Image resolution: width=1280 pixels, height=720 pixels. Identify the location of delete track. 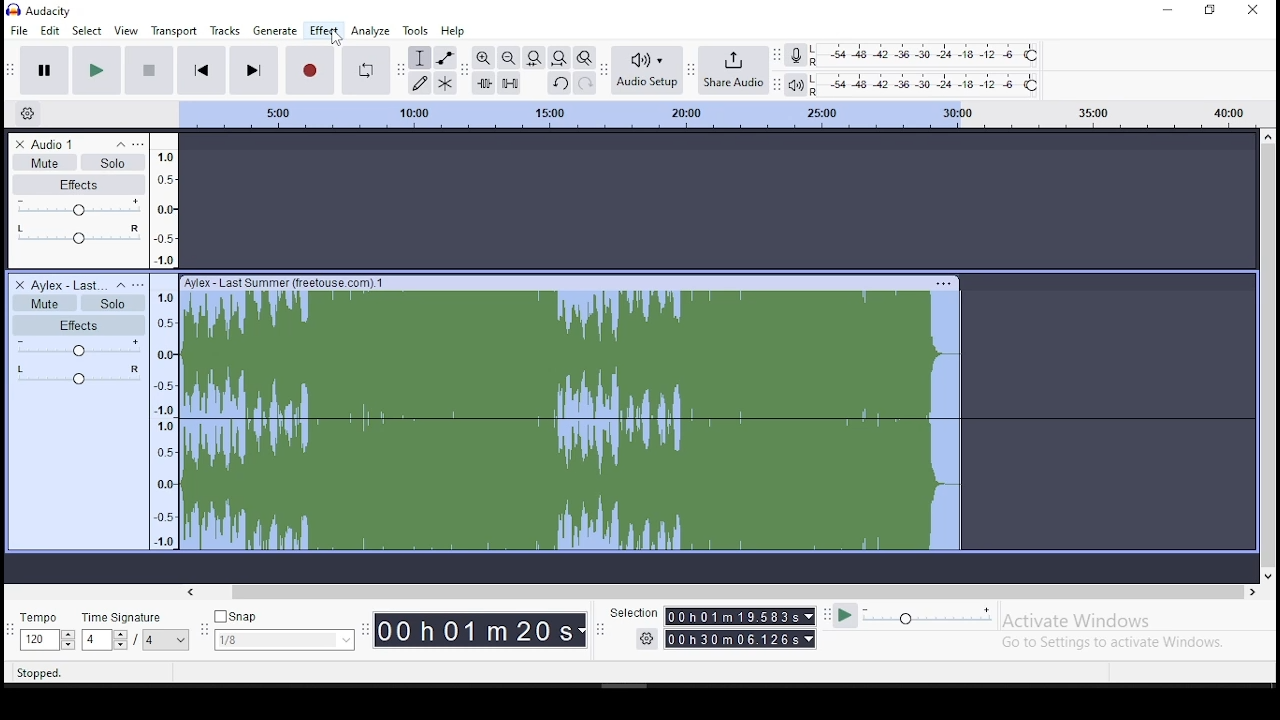
(16, 284).